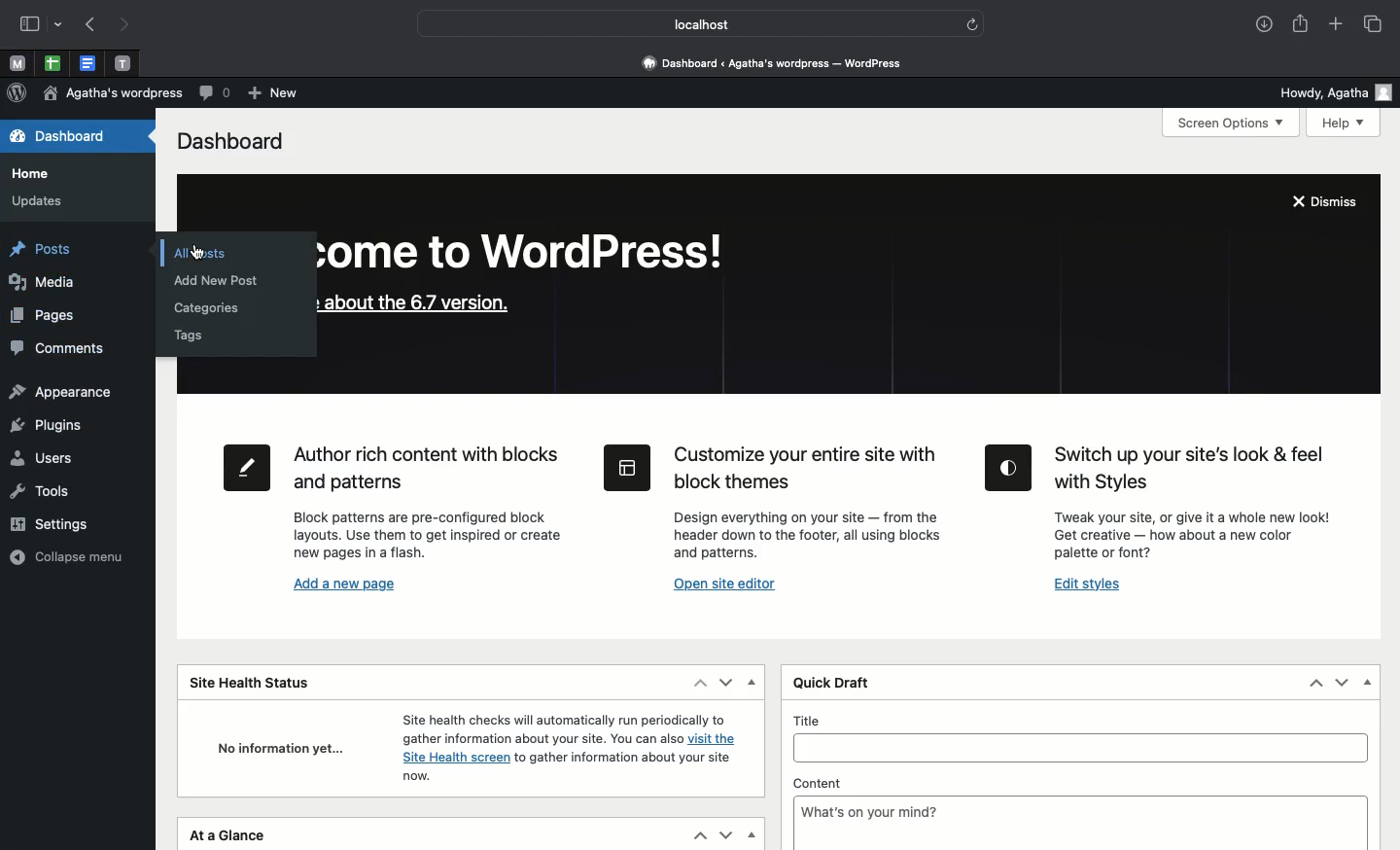 The height and width of the screenshot is (850, 1400). What do you see at coordinates (1335, 25) in the screenshot?
I see `Add new tab` at bounding box center [1335, 25].